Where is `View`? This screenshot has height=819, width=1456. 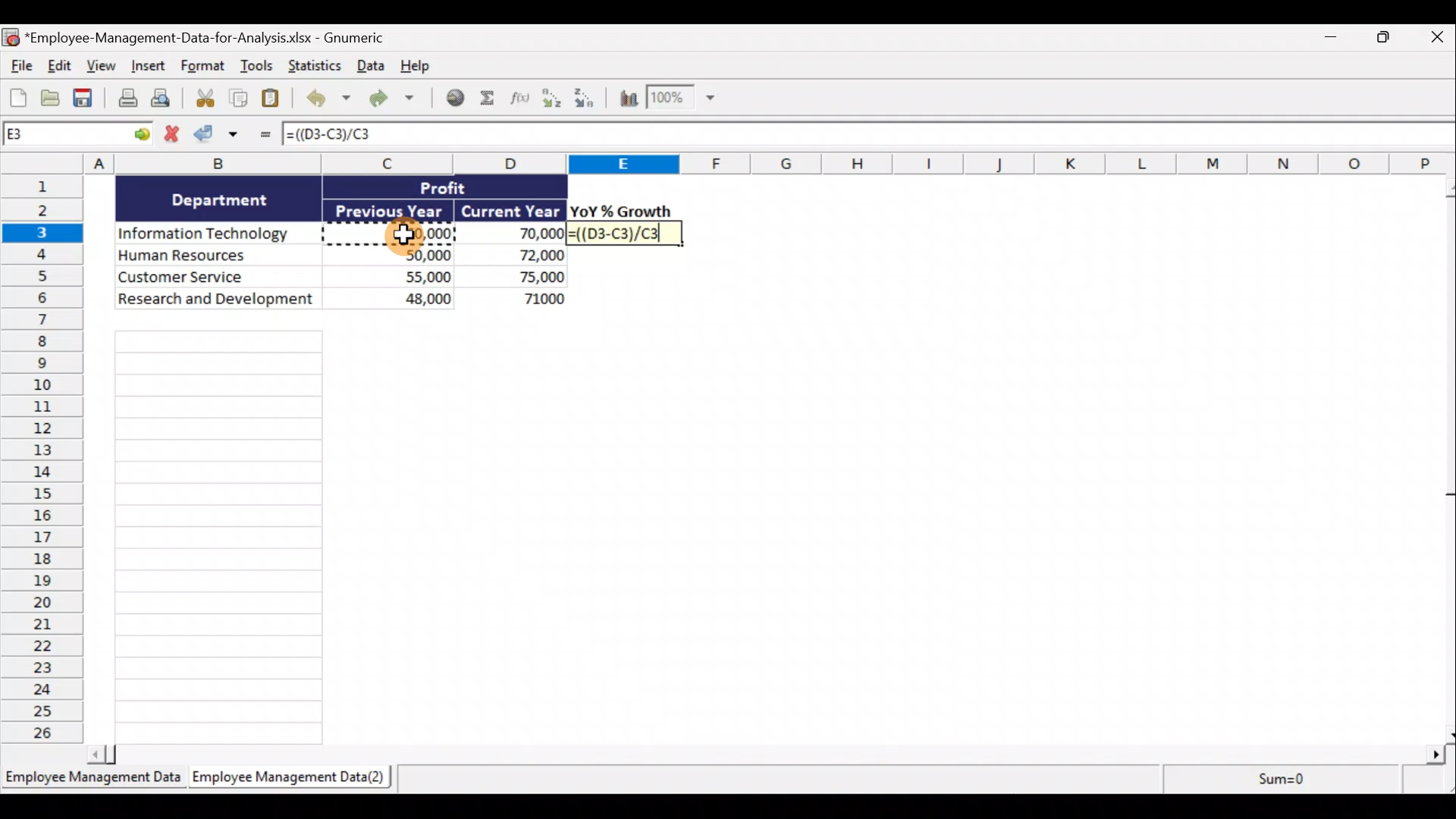 View is located at coordinates (99, 65).